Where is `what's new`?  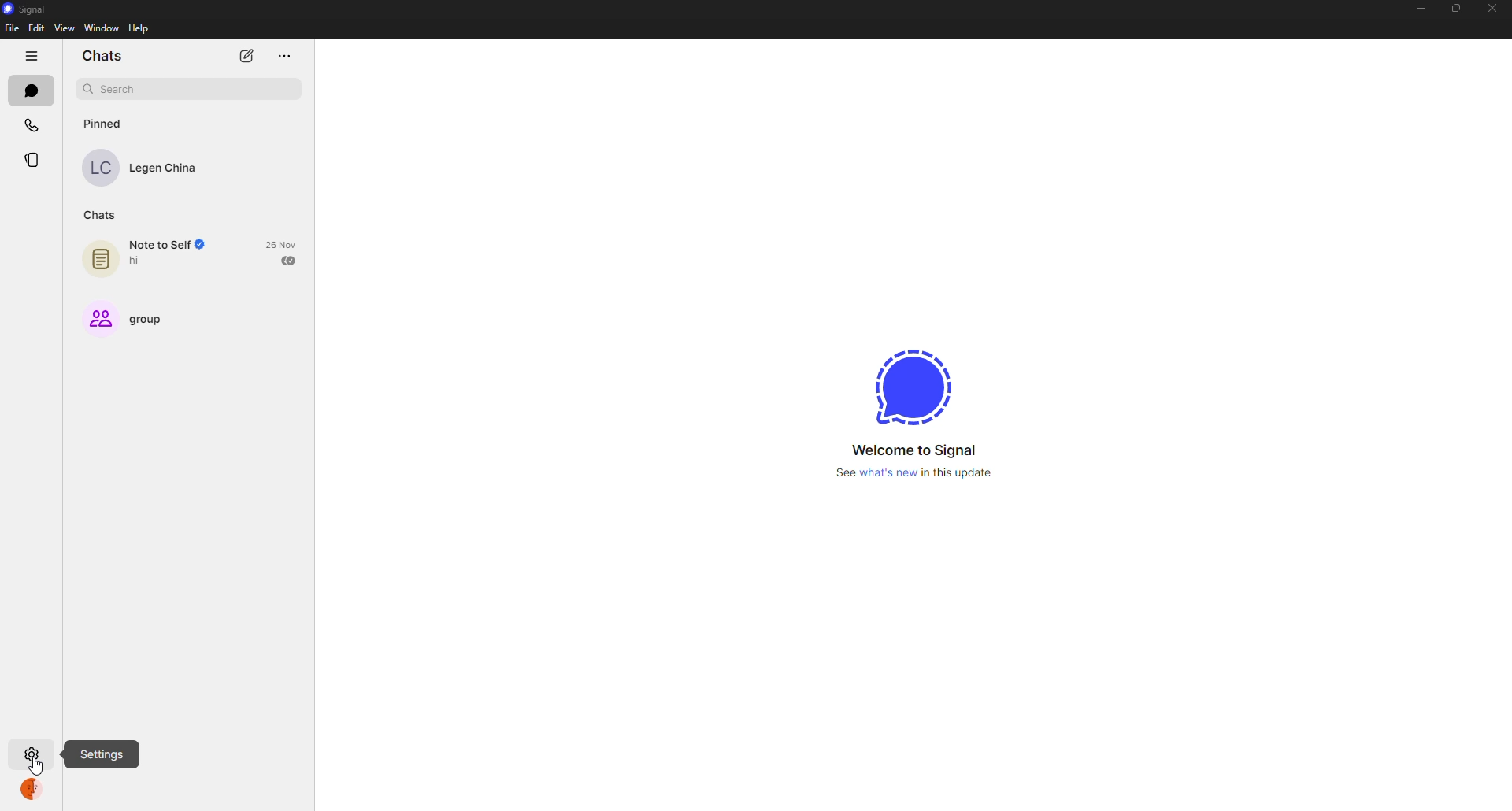
what's new is located at coordinates (915, 473).